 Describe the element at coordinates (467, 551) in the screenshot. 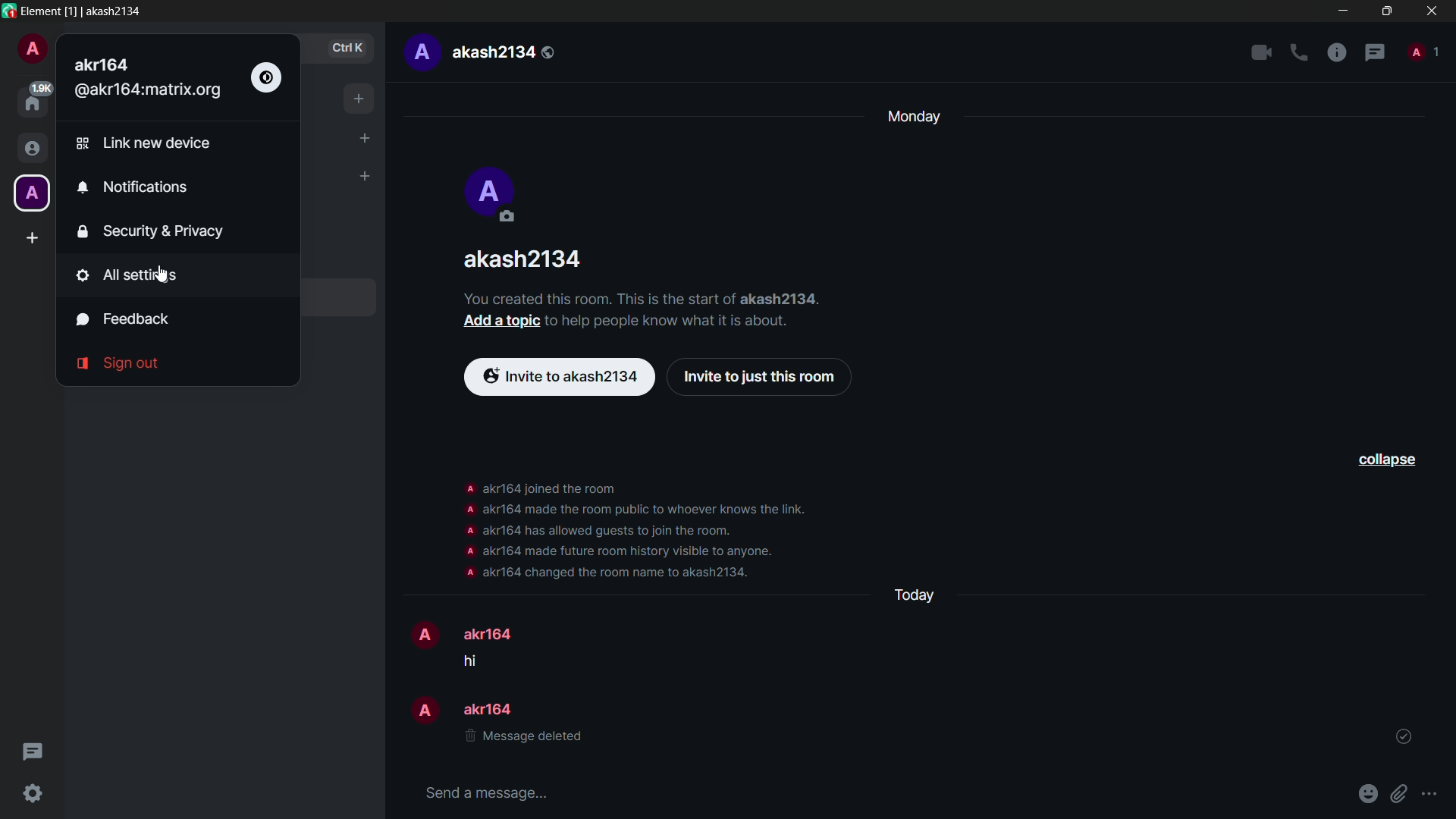

I see `profile` at that location.